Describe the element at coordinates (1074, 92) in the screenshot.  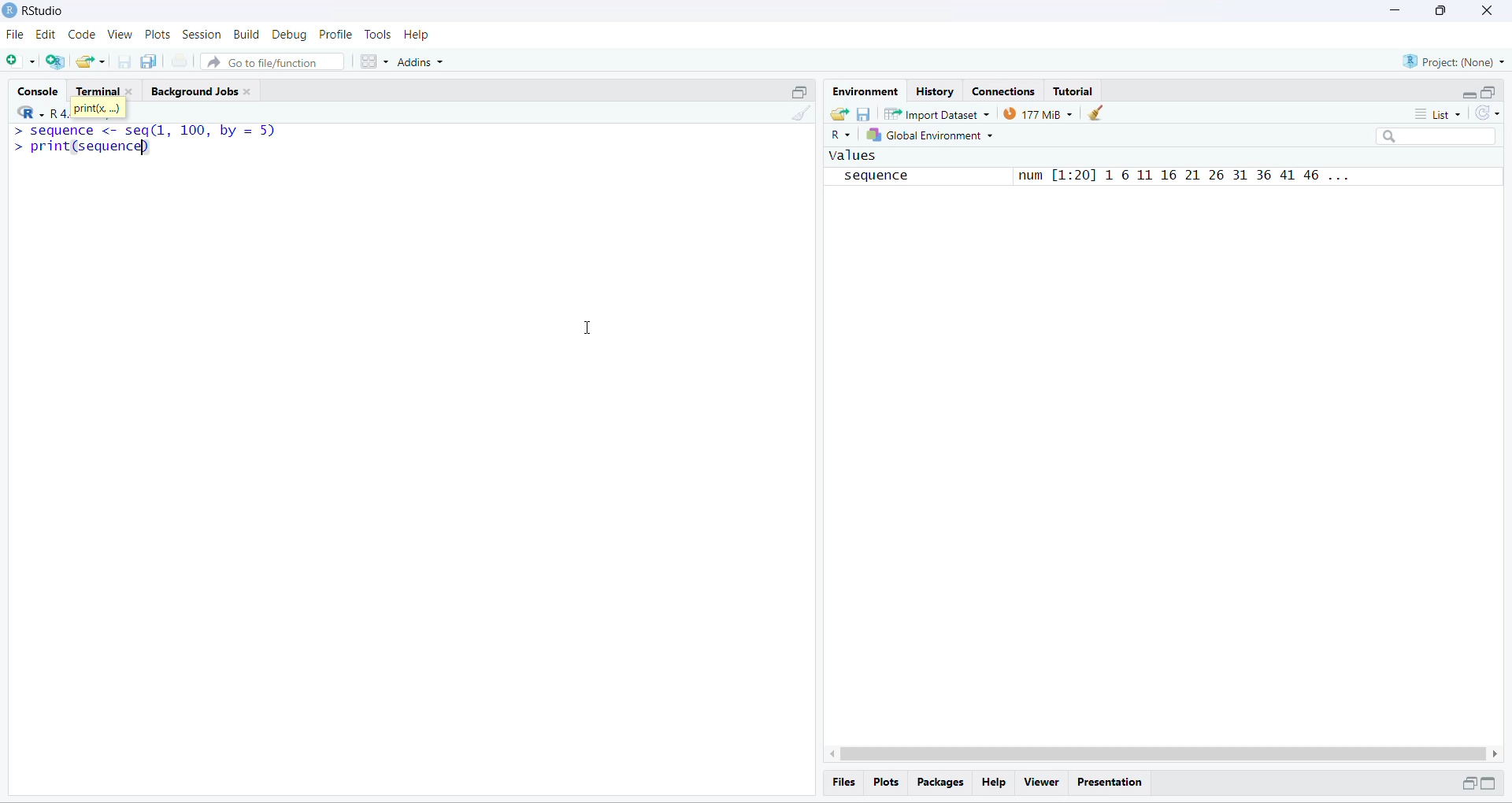
I see `tutorial` at that location.